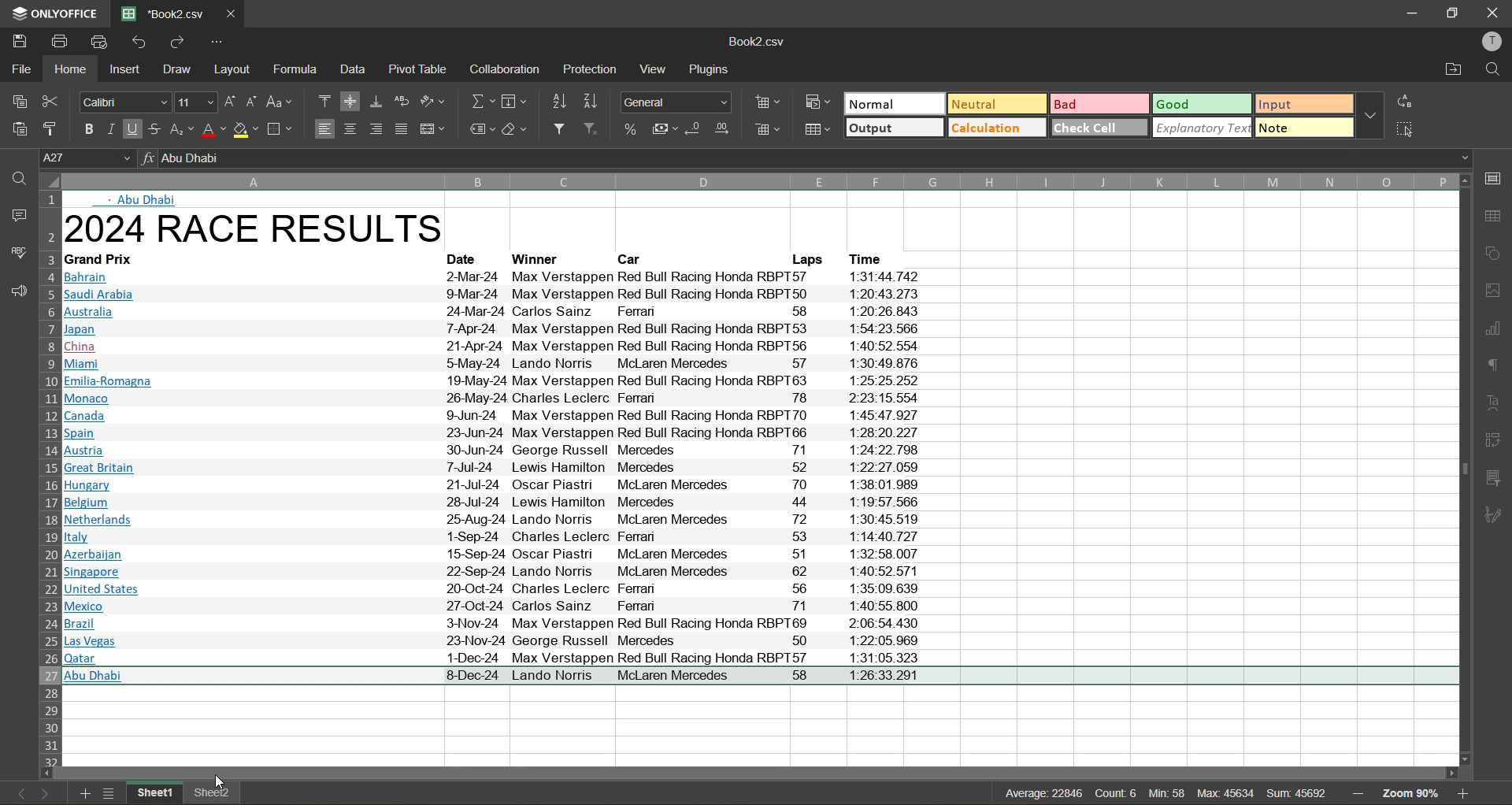 This screenshot has width=1512, height=805. Describe the element at coordinates (19, 66) in the screenshot. I see `file` at that location.